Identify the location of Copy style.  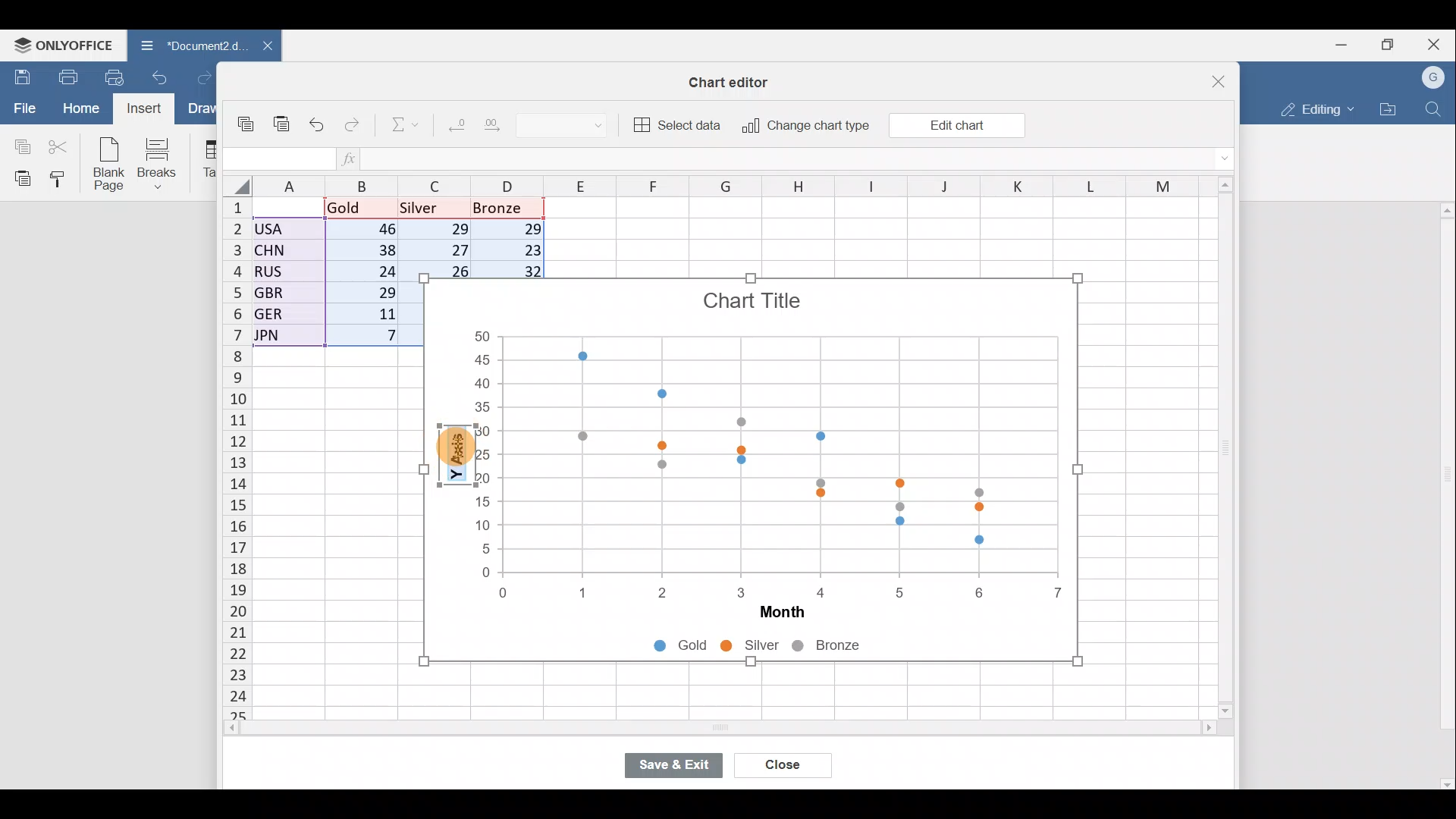
(62, 180).